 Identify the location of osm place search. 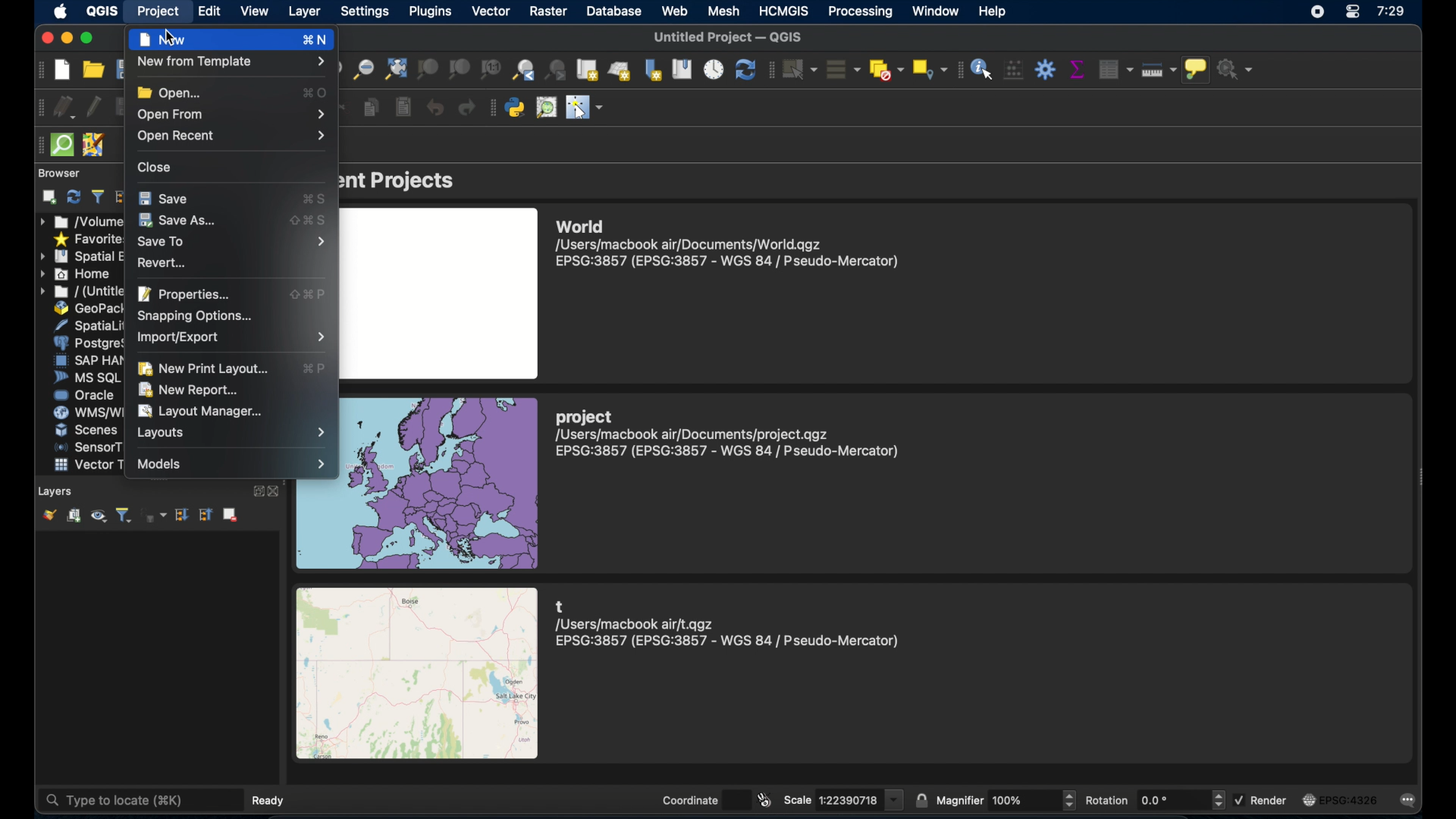
(548, 108).